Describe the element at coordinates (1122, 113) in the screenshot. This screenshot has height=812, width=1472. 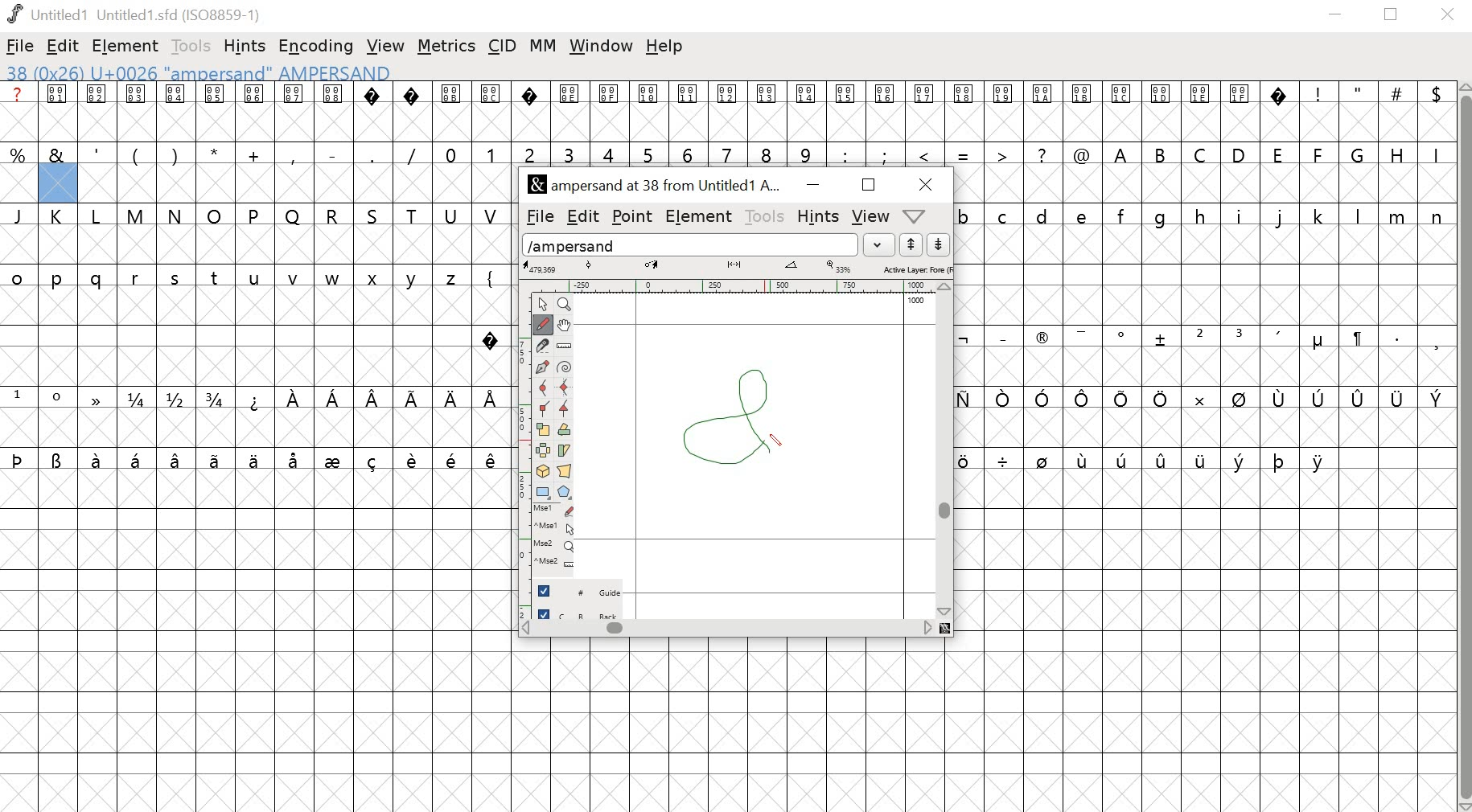
I see `001C` at that location.